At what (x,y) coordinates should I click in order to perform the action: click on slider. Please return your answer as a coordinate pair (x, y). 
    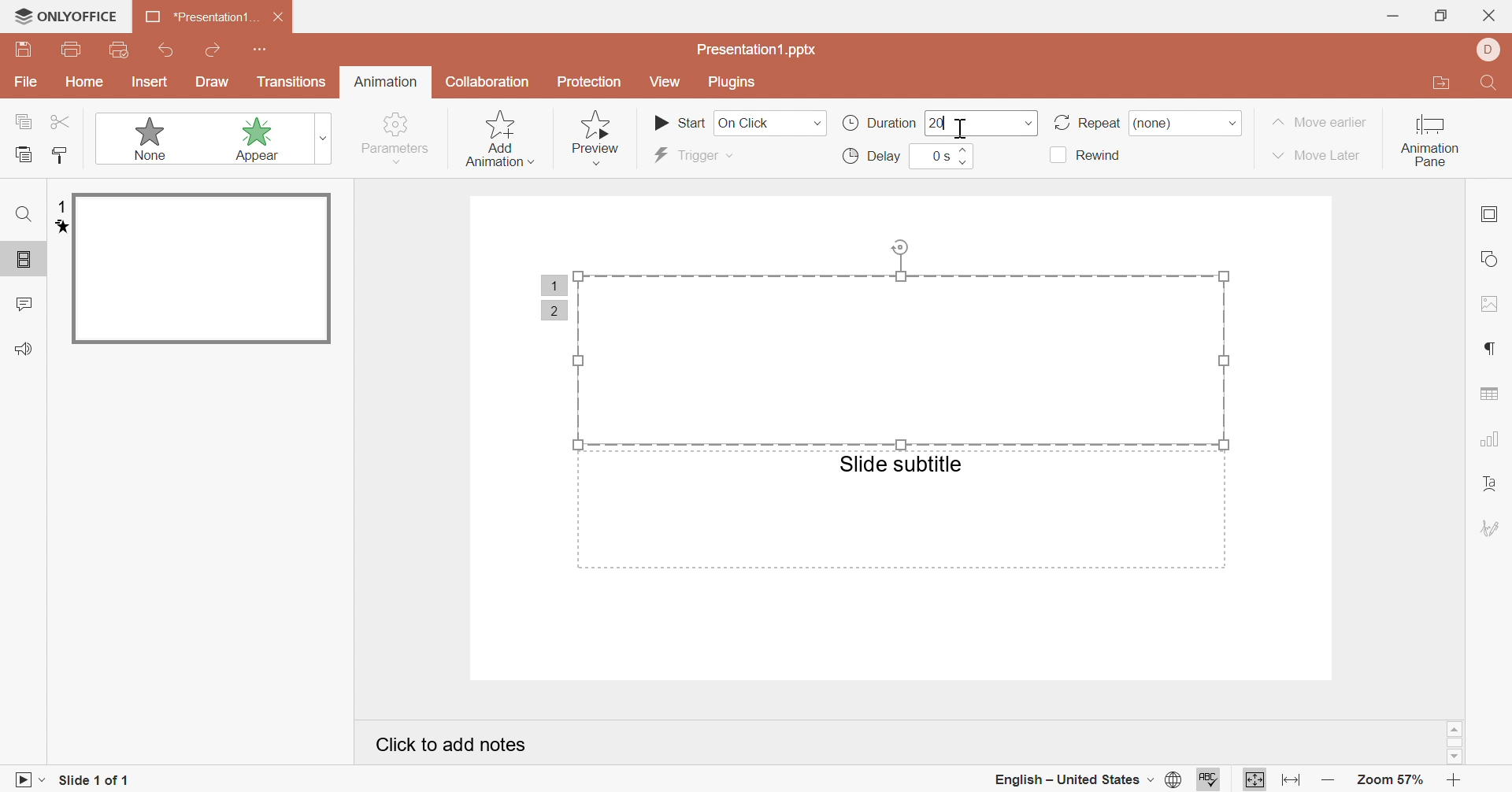
    Looking at the image, I should click on (965, 156).